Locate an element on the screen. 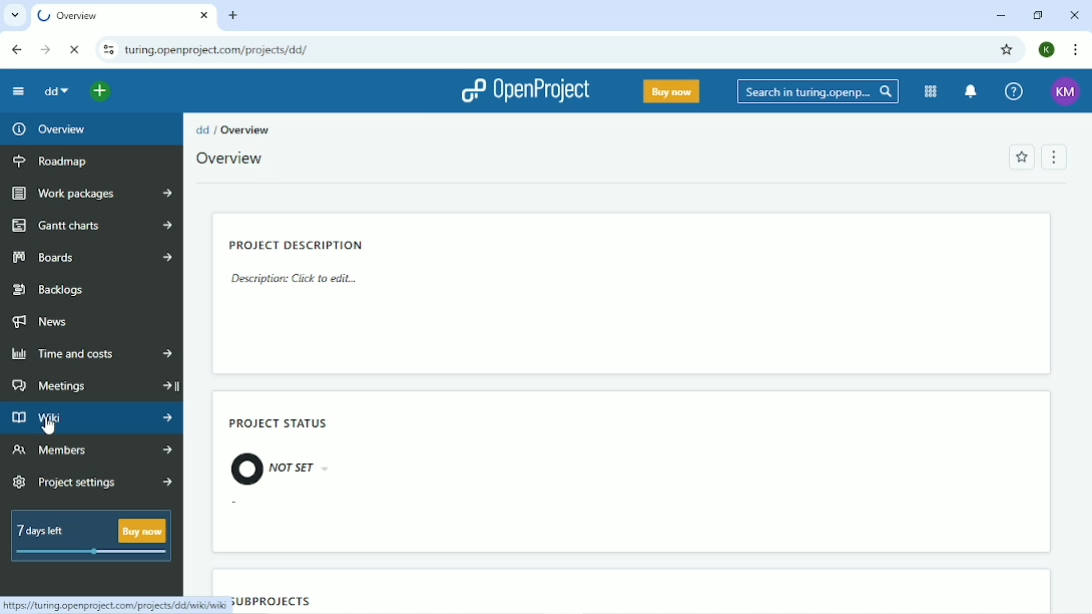  Reload this page is located at coordinates (76, 49).